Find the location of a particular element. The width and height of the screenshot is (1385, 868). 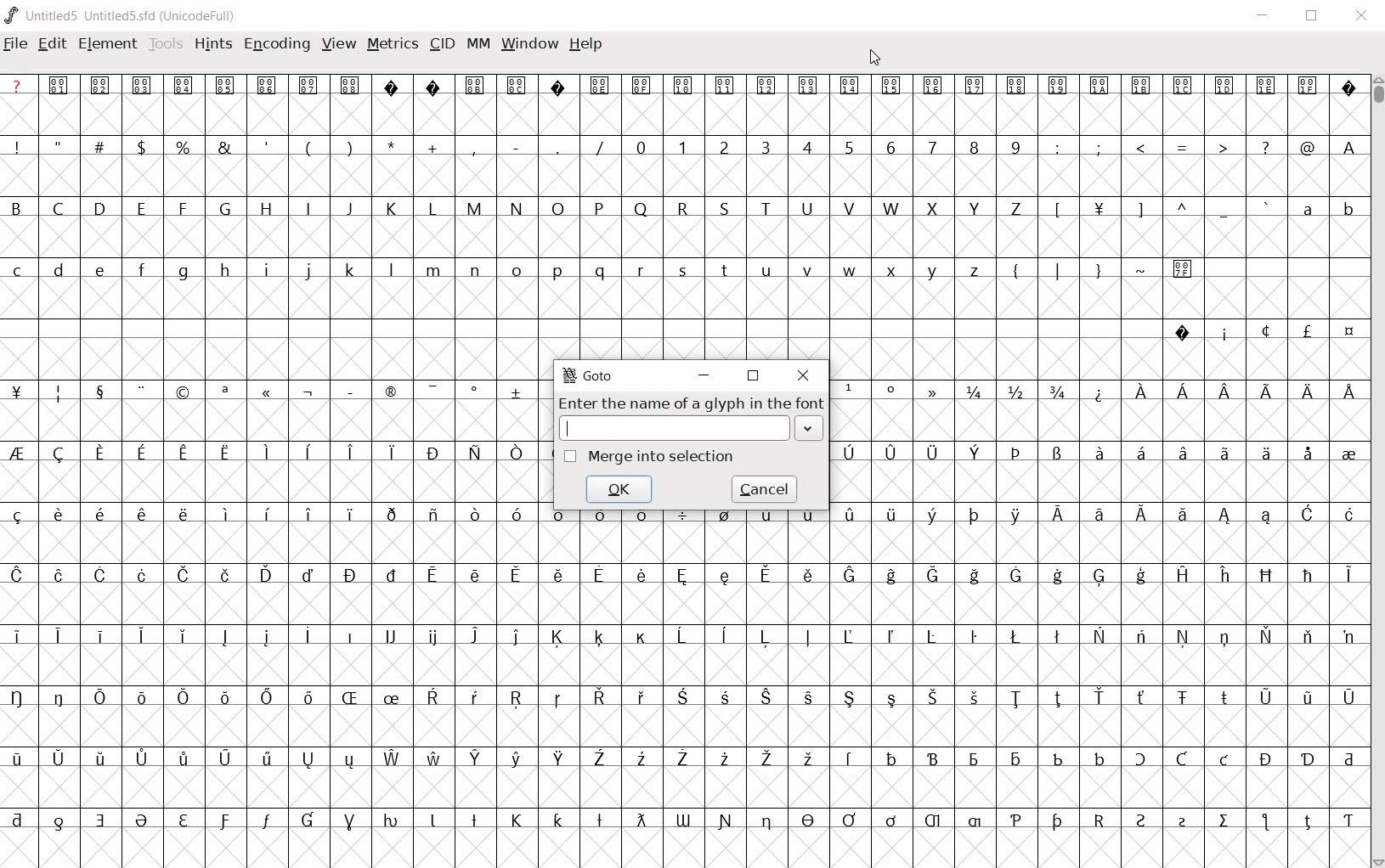

1/2 is located at coordinates (1014, 390).